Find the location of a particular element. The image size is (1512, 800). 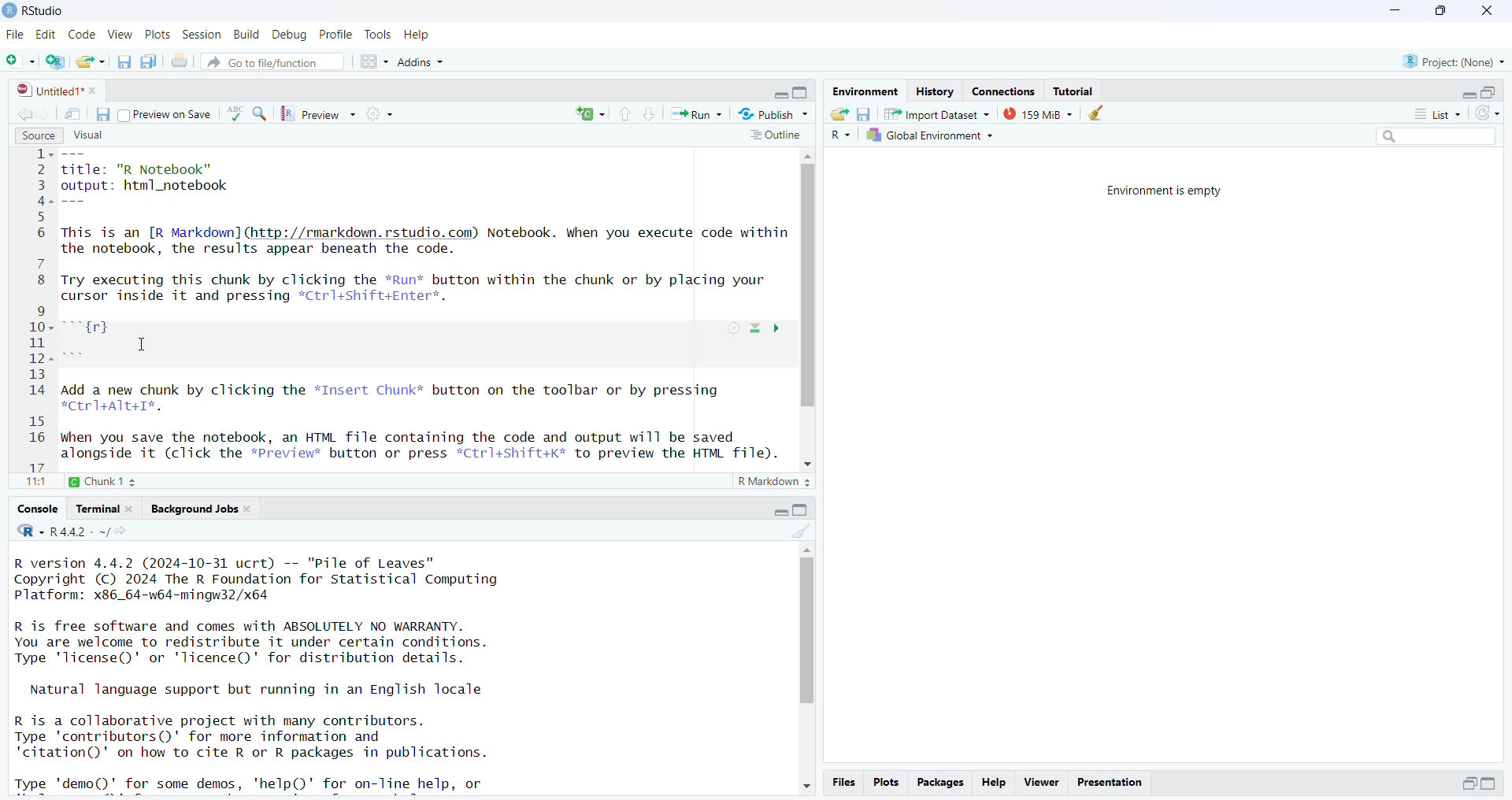

11:1 is located at coordinates (35, 483).